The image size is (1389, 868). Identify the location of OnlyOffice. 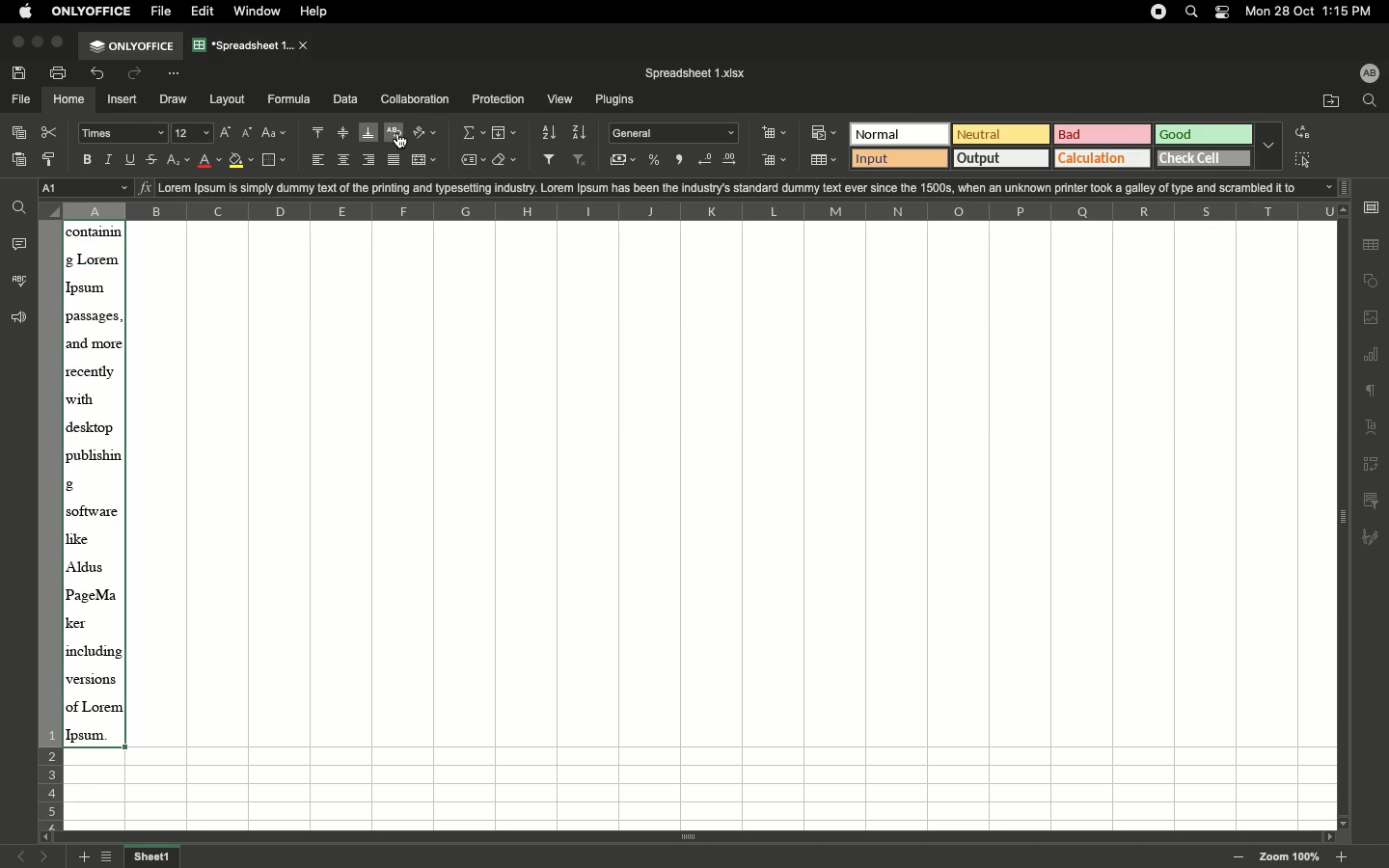
(93, 11).